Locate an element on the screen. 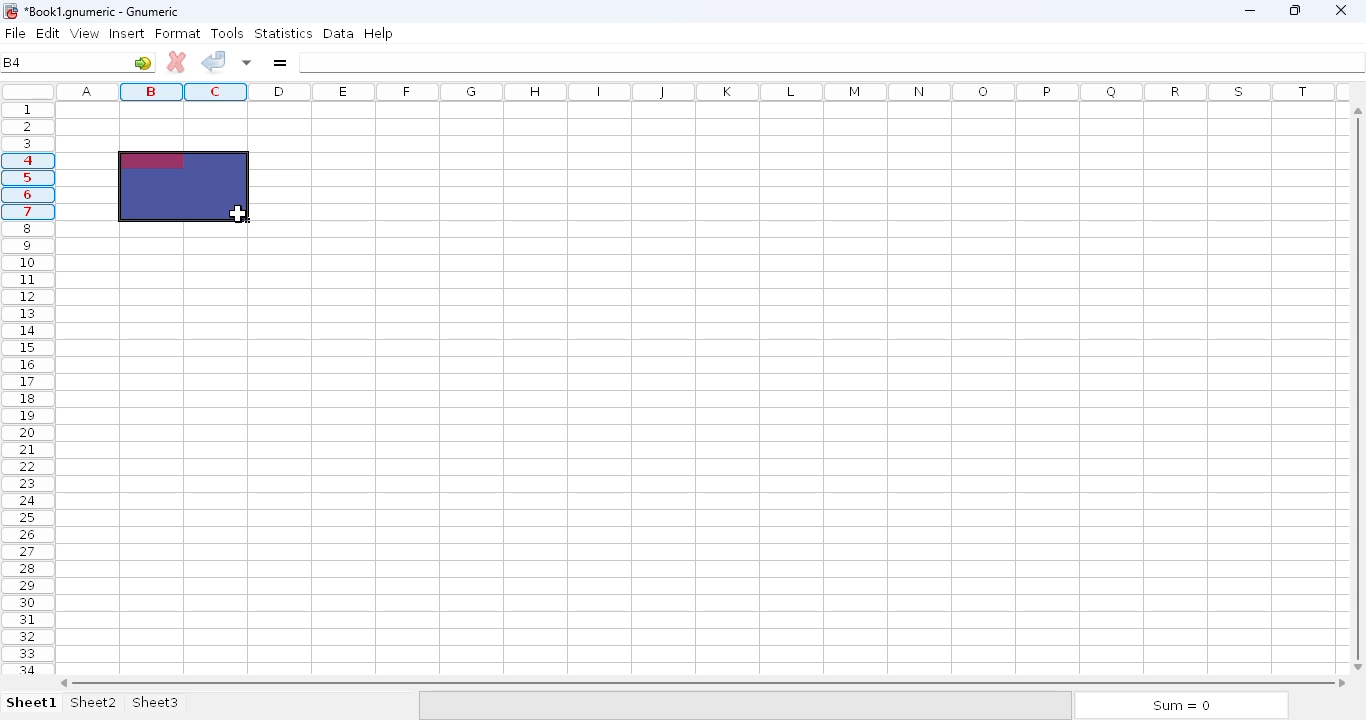  selected cell range is located at coordinates (181, 187).